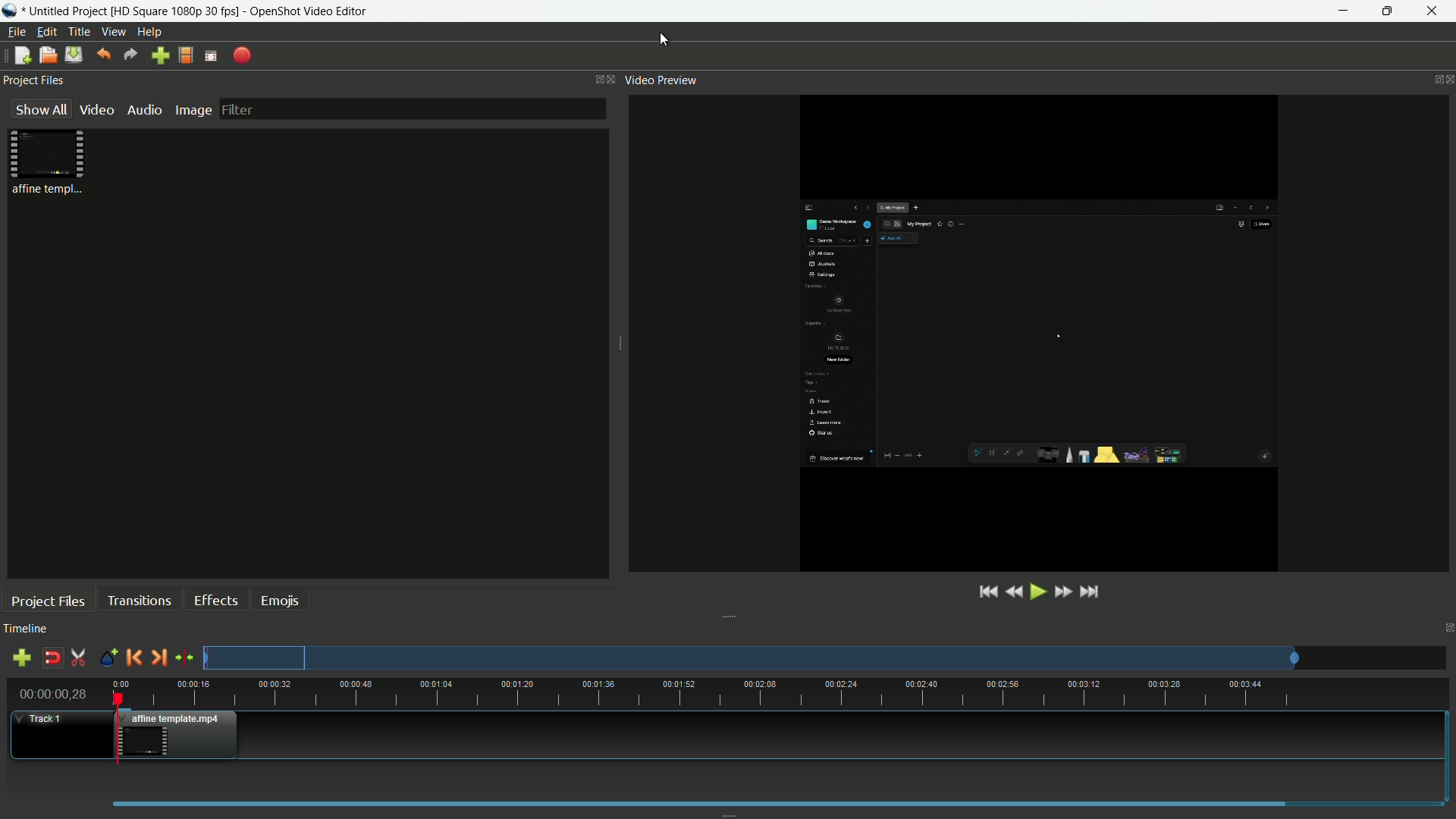  Describe the element at coordinates (49, 601) in the screenshot. I see `project files` at that location.